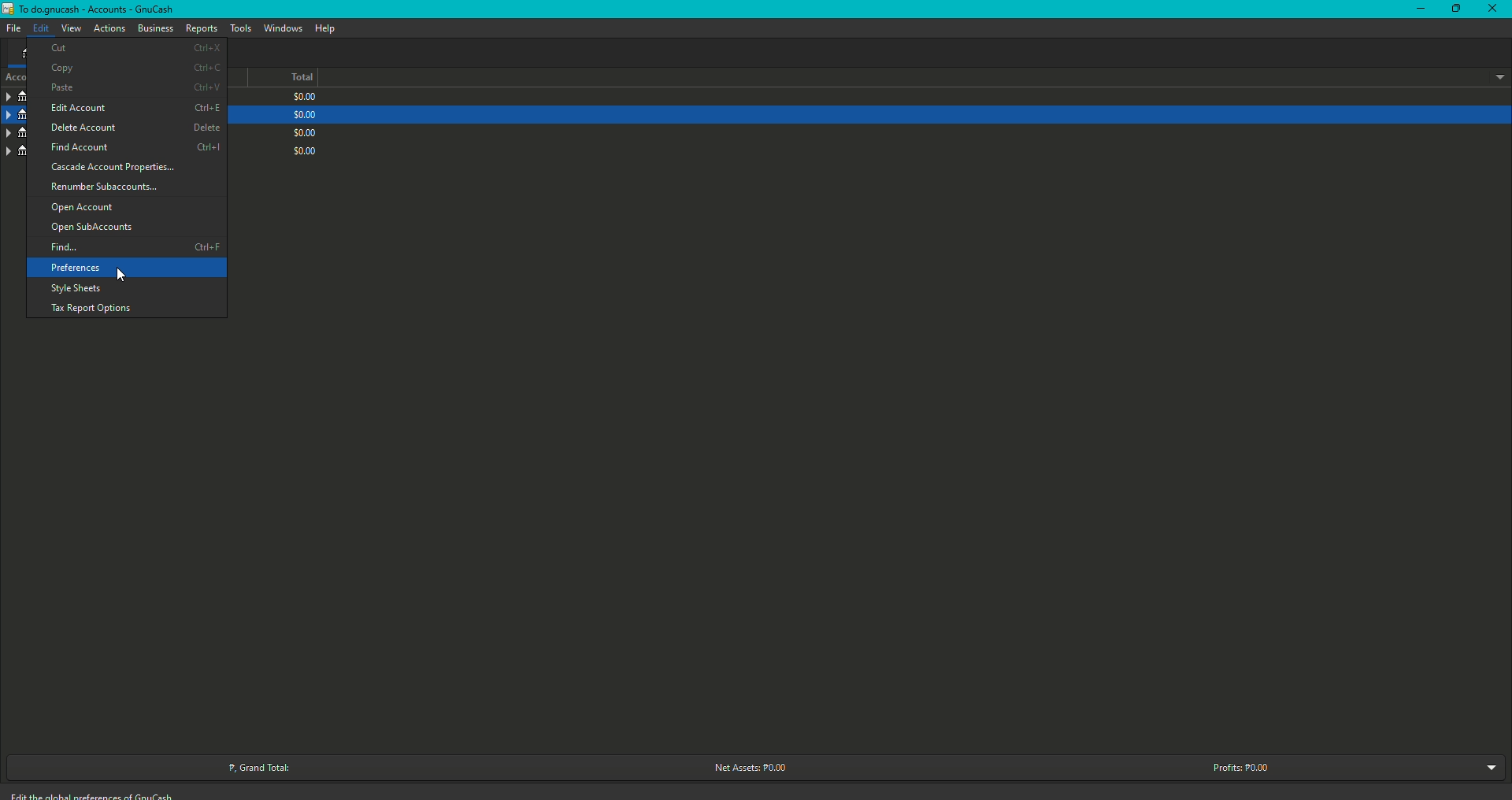 The image size is (1512, 800). What do you see at coordinates (308, 150) in the screenshot?
I see `$0` at bounding box center [308, 150].